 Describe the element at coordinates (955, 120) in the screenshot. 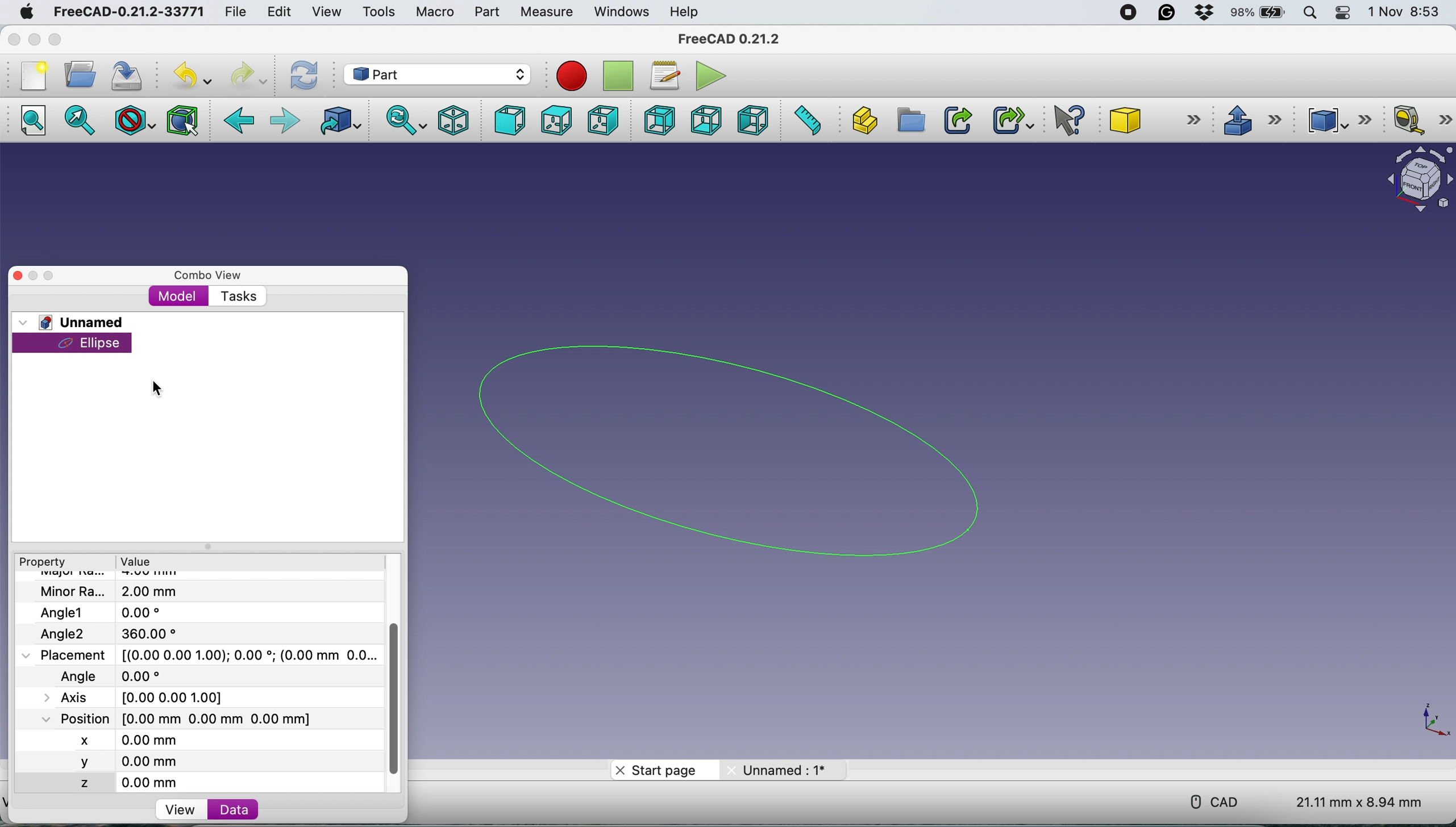

I see `make link` at that location.